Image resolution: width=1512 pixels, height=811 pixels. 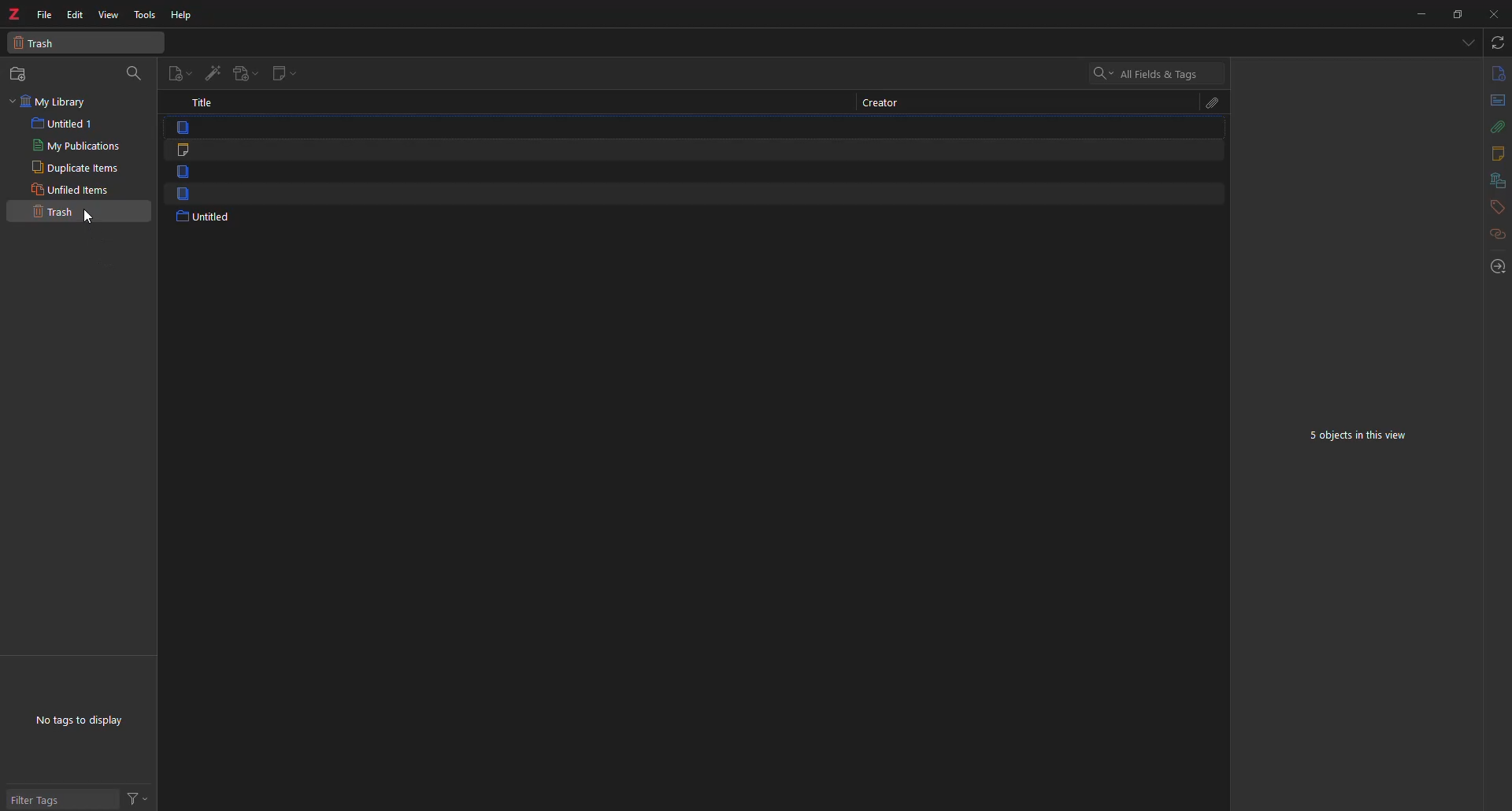 What do you see at coordinates (1496, 263) in the screenshot?
I see `locate` at bounding box center [1496, 263].